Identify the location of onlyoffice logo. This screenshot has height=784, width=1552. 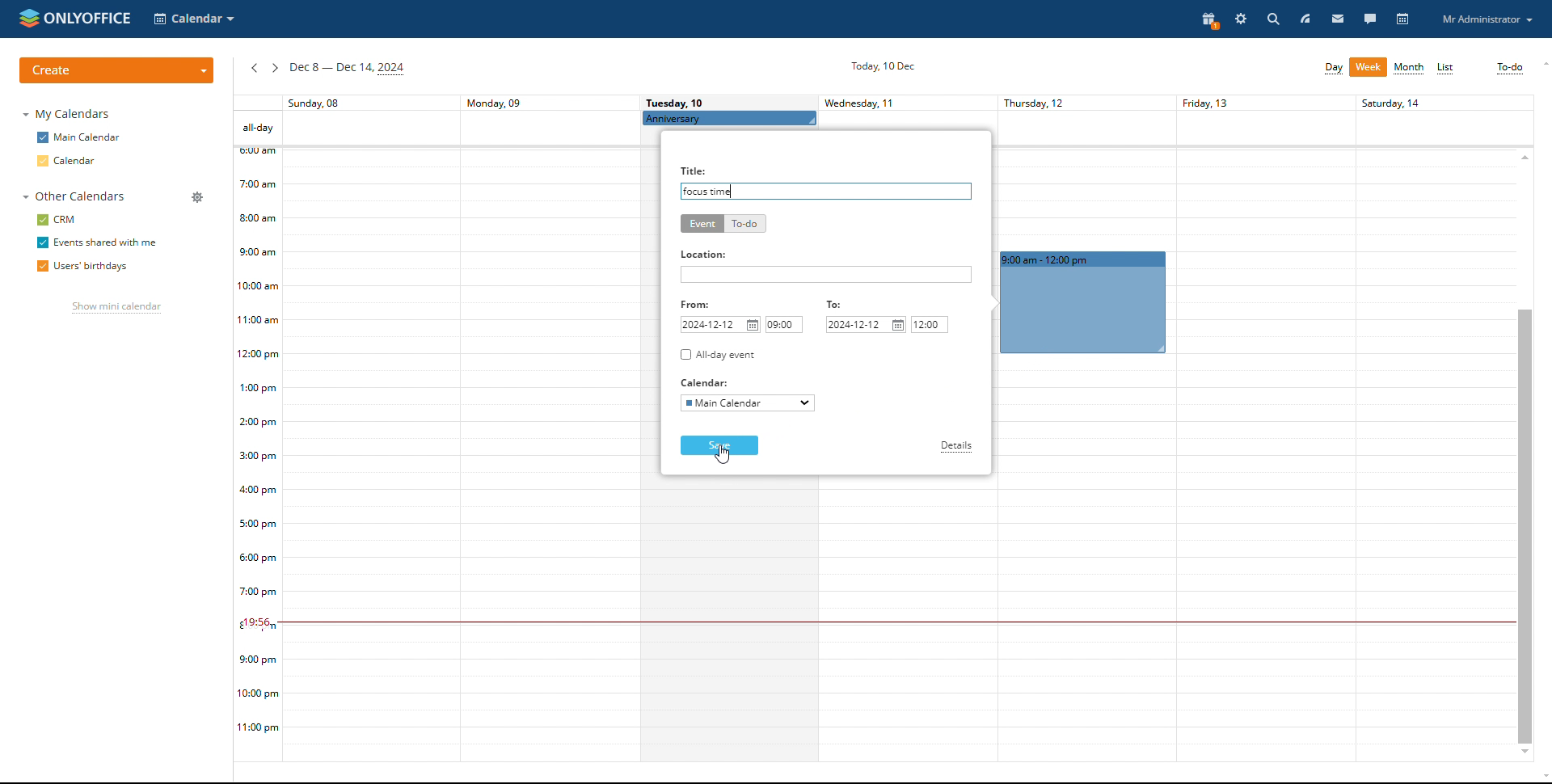
(27, 18).